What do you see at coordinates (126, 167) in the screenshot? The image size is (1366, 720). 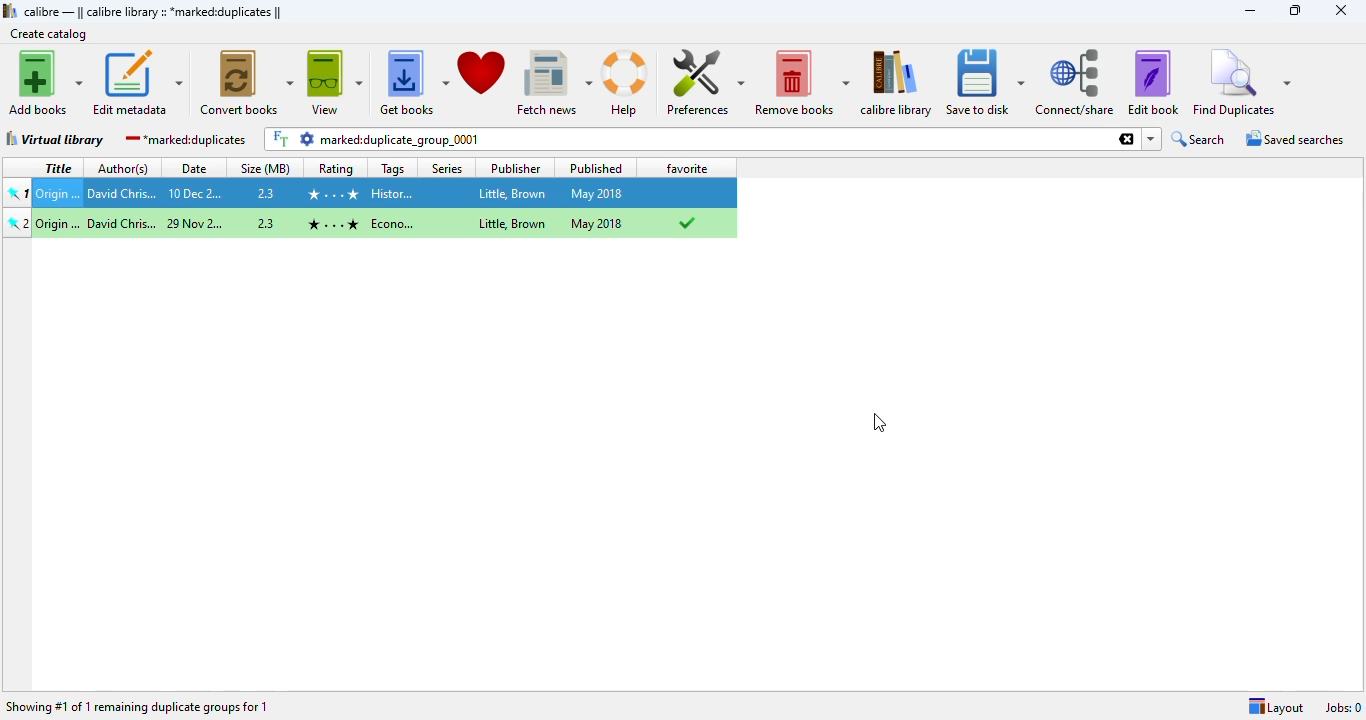 I see `author(s)` at bounding box center [126, 167].